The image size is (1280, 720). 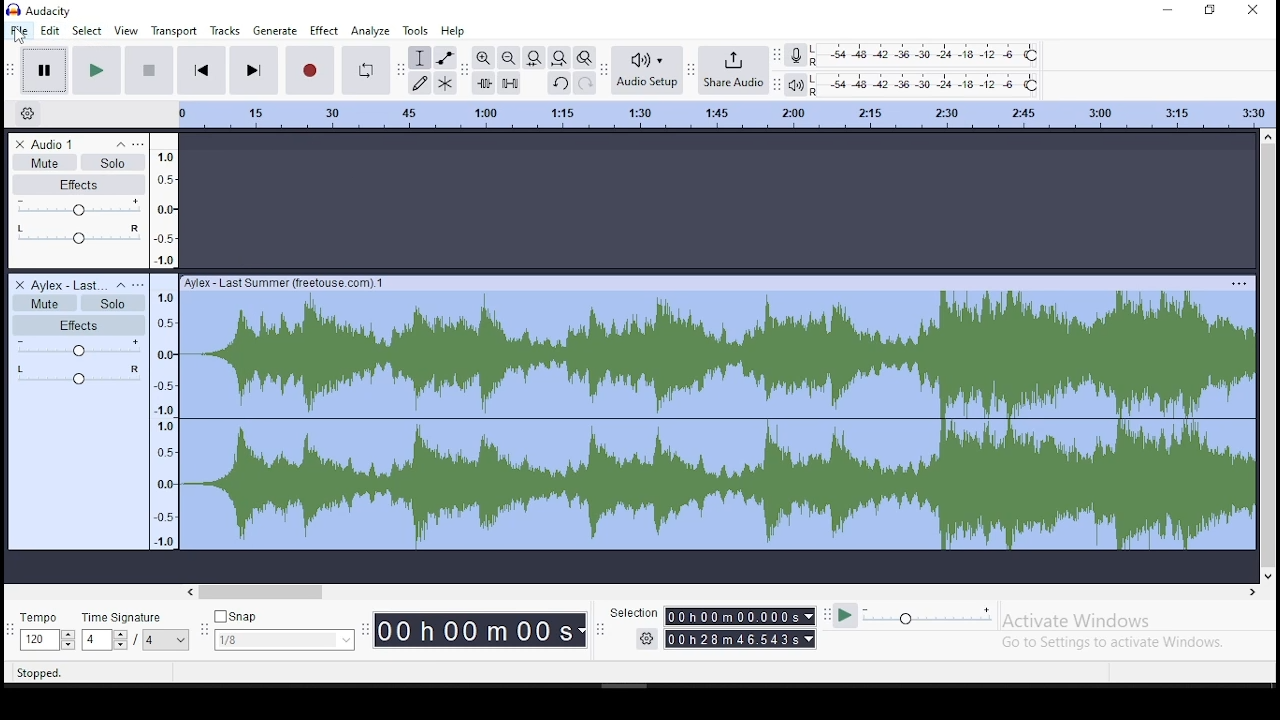 I want to click on share audio, so click(x=730, y=69).